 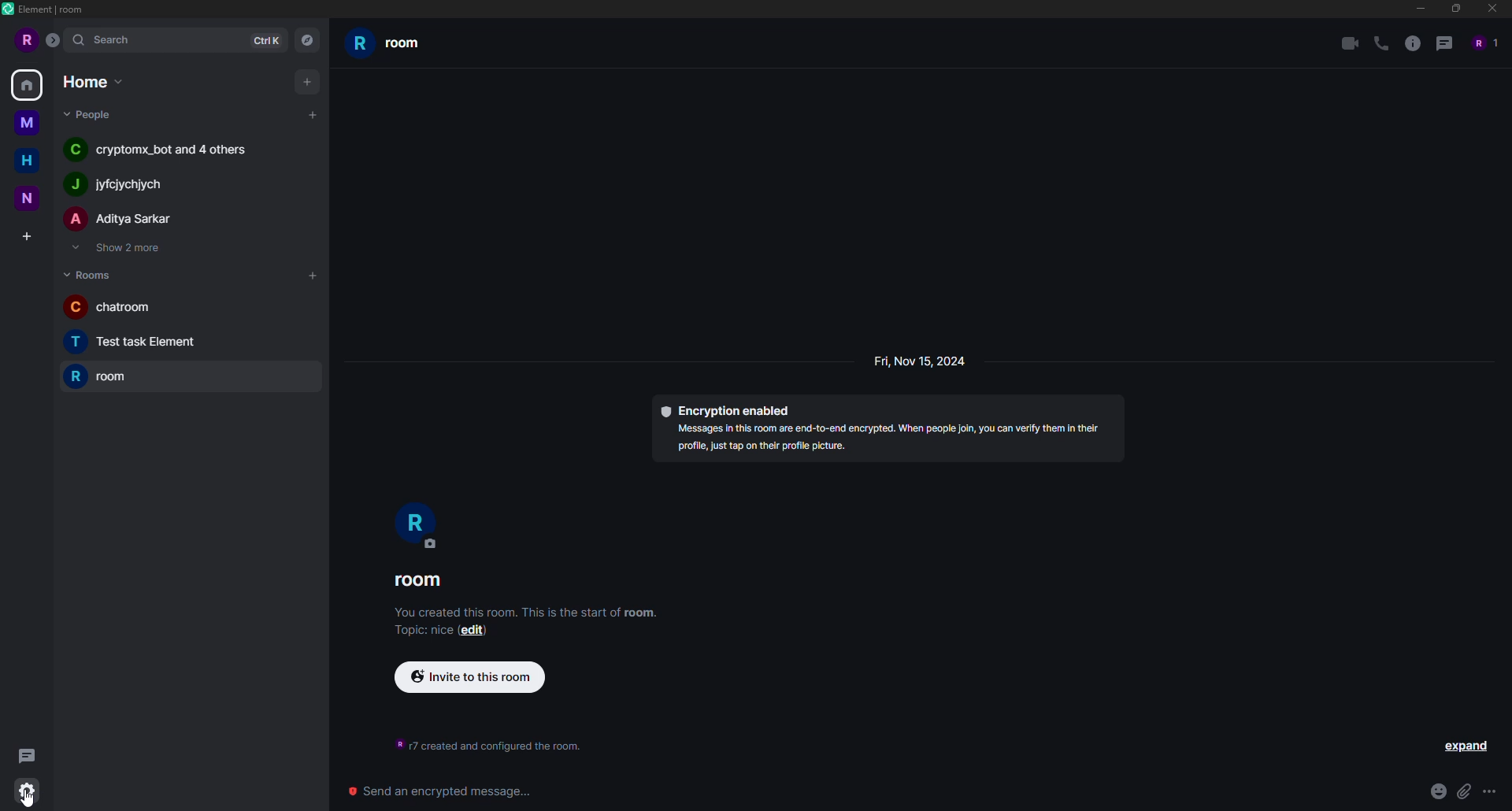 What do you see at coordinates (1447, 43) in the screenshot?
I see `threads` at bounding box center [1447, 43].